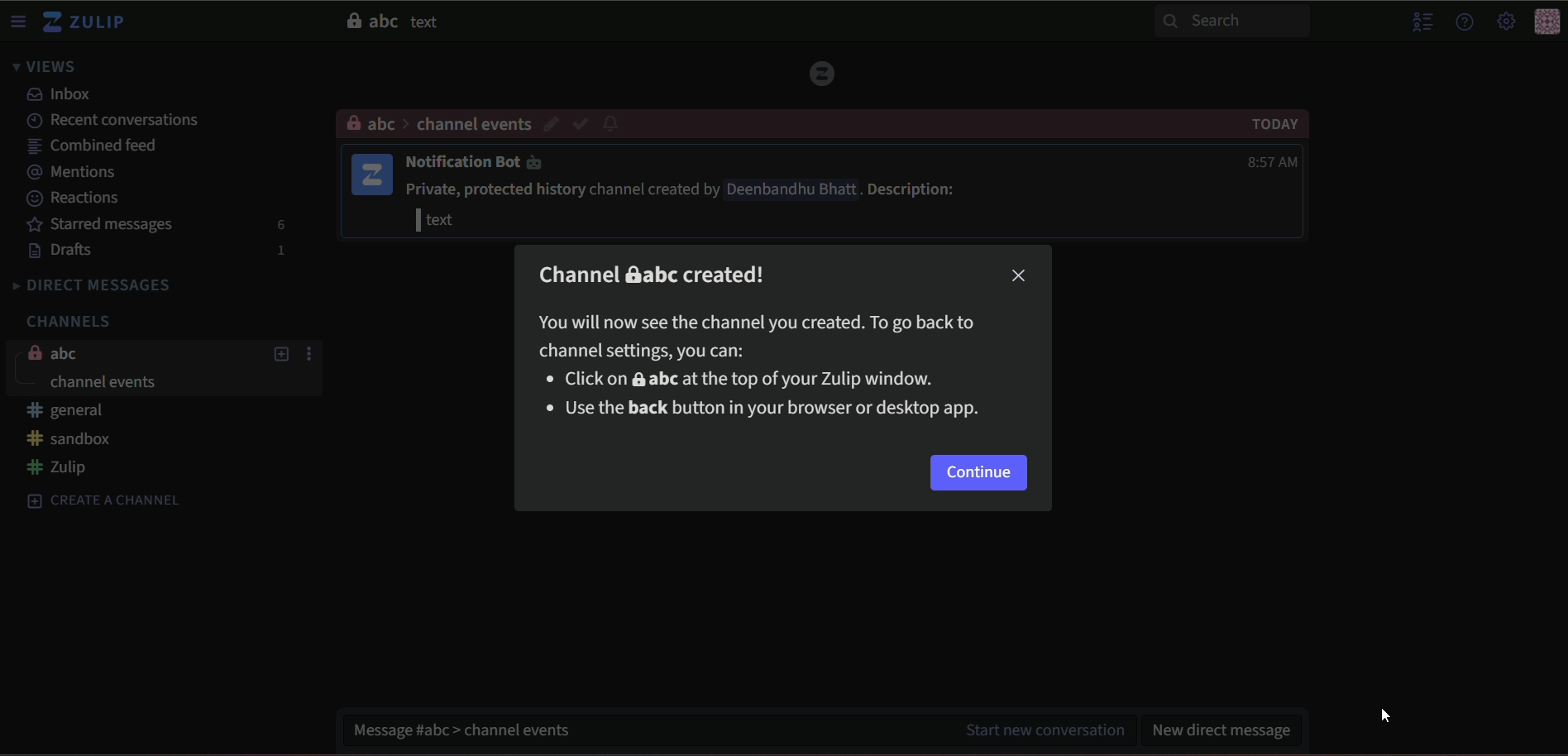  What do you see at coordinates (98, 384) in the screenshot?
I see `channel events` at bounding box center [98, 384].